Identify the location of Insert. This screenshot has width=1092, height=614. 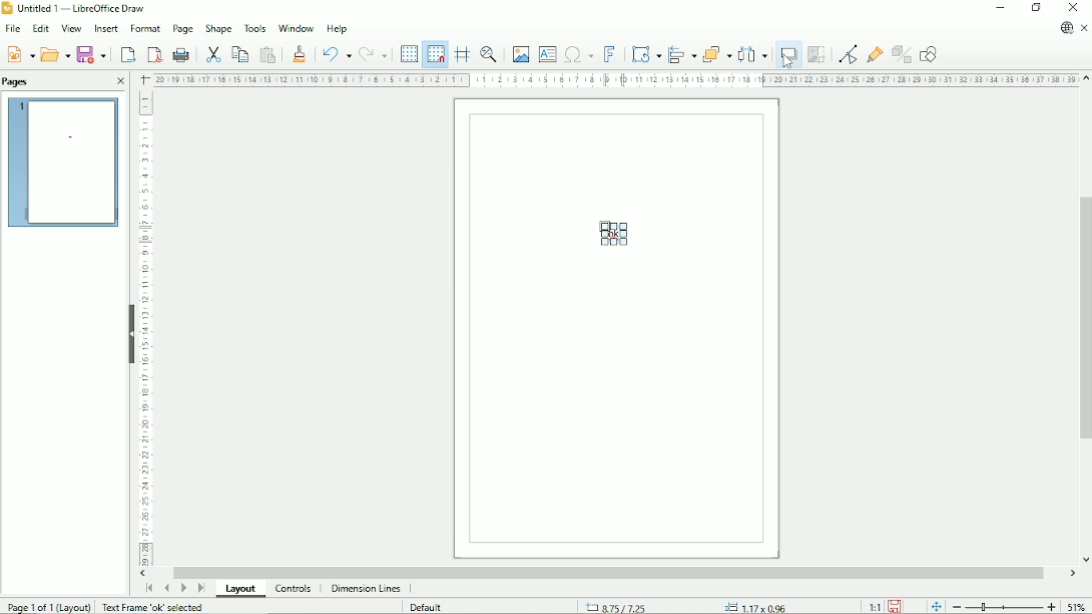
(105, 29).